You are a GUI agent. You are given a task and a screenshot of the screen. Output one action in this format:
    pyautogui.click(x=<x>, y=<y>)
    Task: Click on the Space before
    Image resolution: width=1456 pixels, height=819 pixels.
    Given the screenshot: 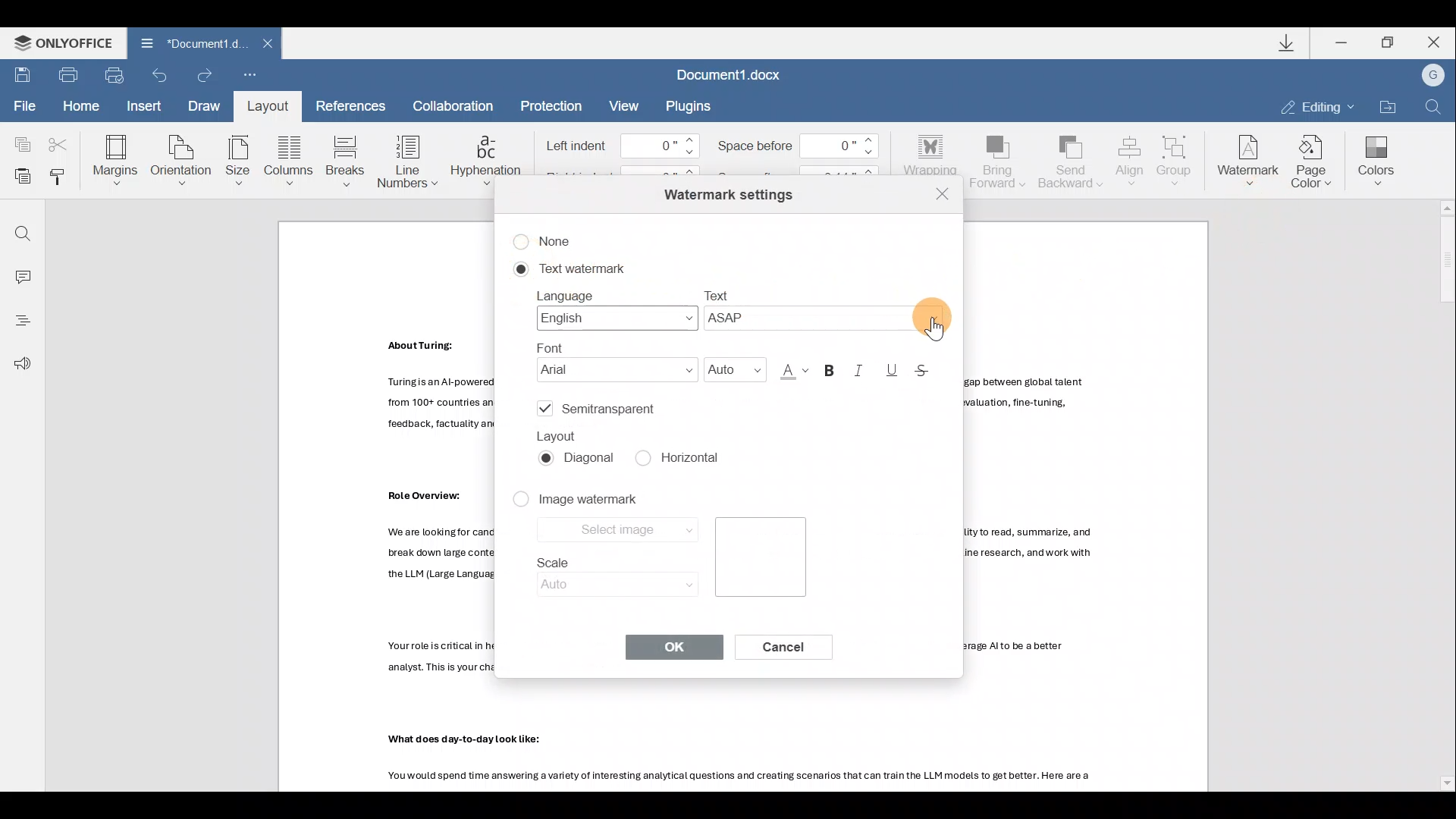 What is the action you would take?
    pyautogui.click(x=799, y=145)
    